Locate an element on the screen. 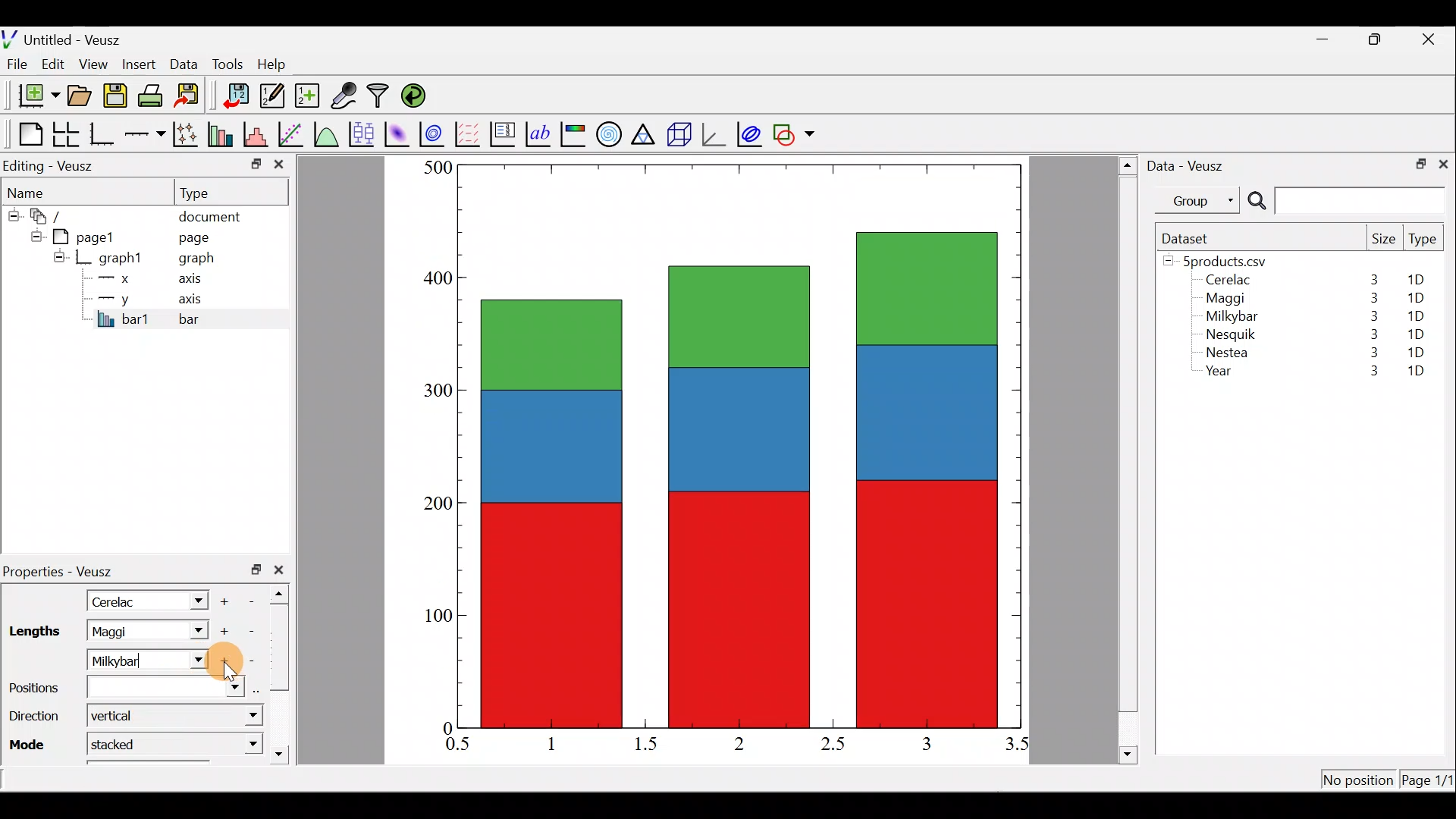 This screenshot has width=1456, height=819. 3 is located at coordinates (1371, 316).